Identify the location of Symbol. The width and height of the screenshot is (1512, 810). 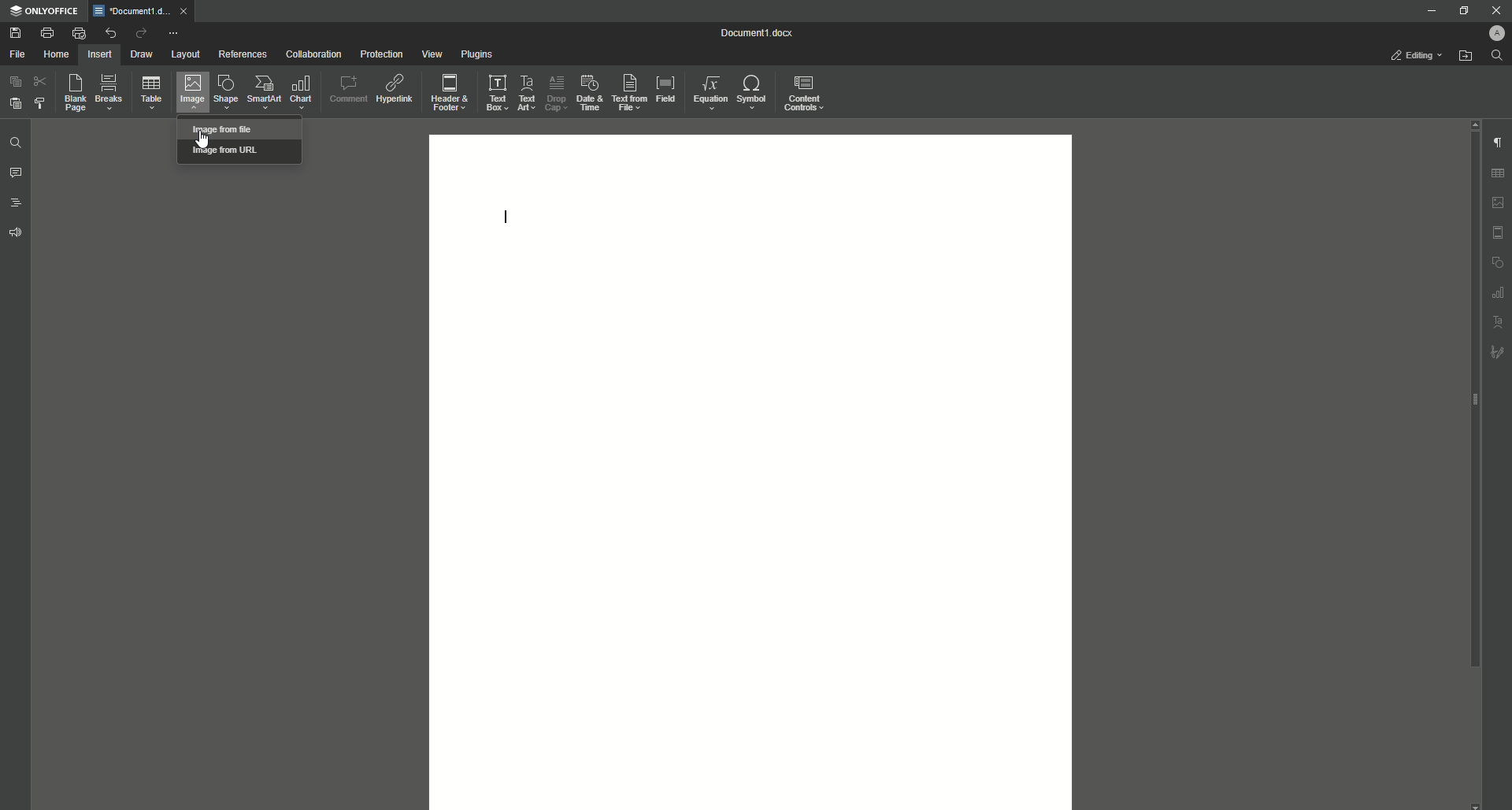
(754, 91).